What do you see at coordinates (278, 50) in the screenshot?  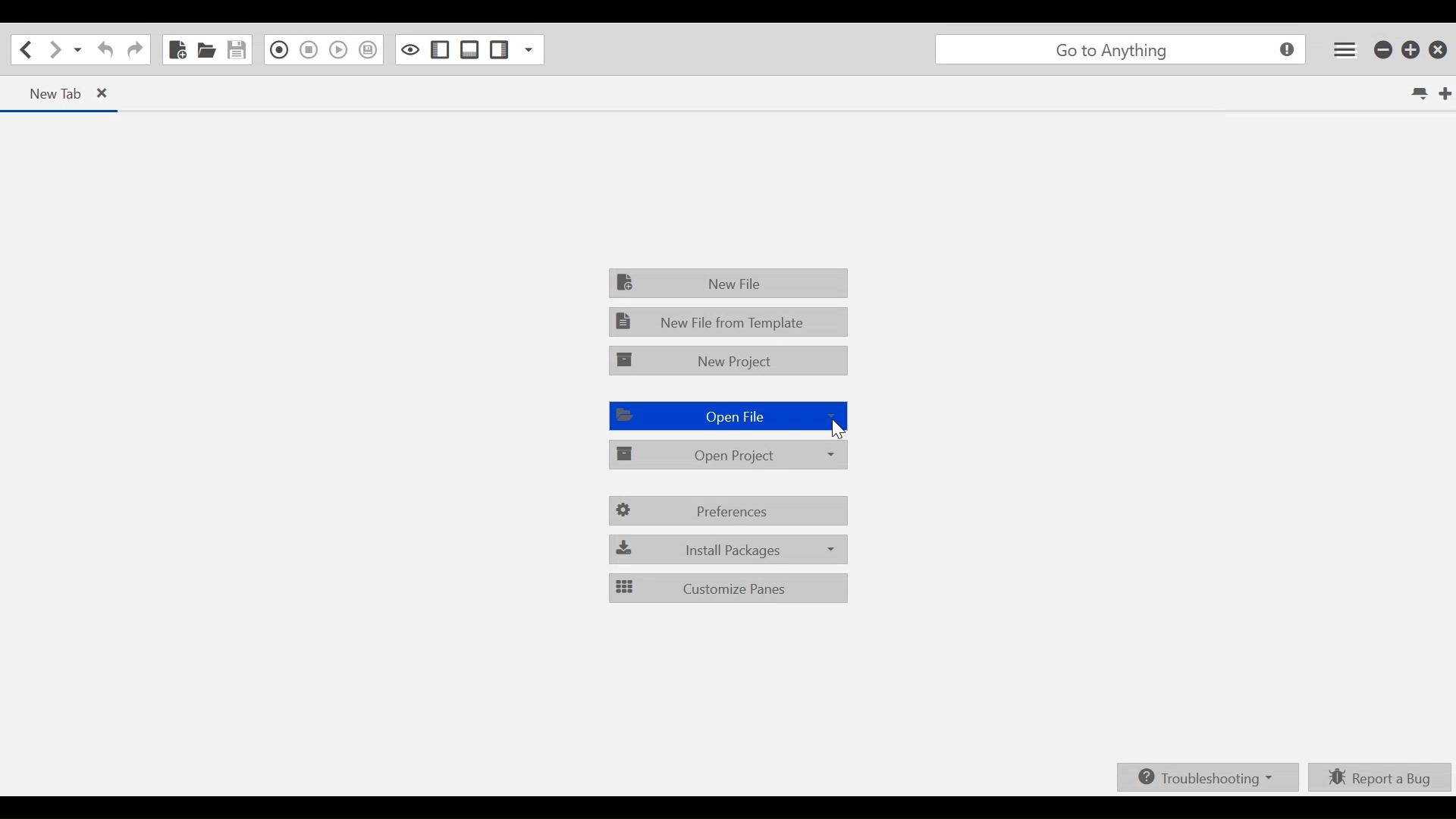 I see `Record Macro` at bounding box center [278, 50].